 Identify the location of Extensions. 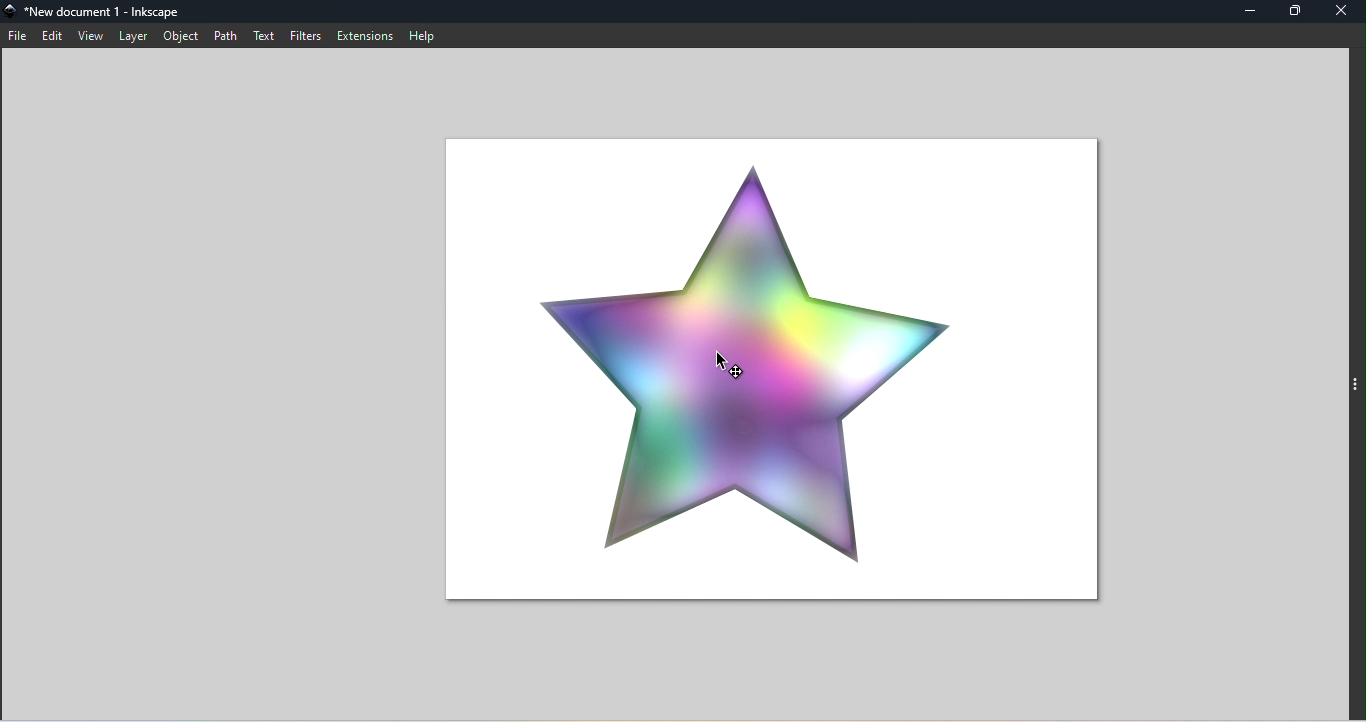
(361, 37).